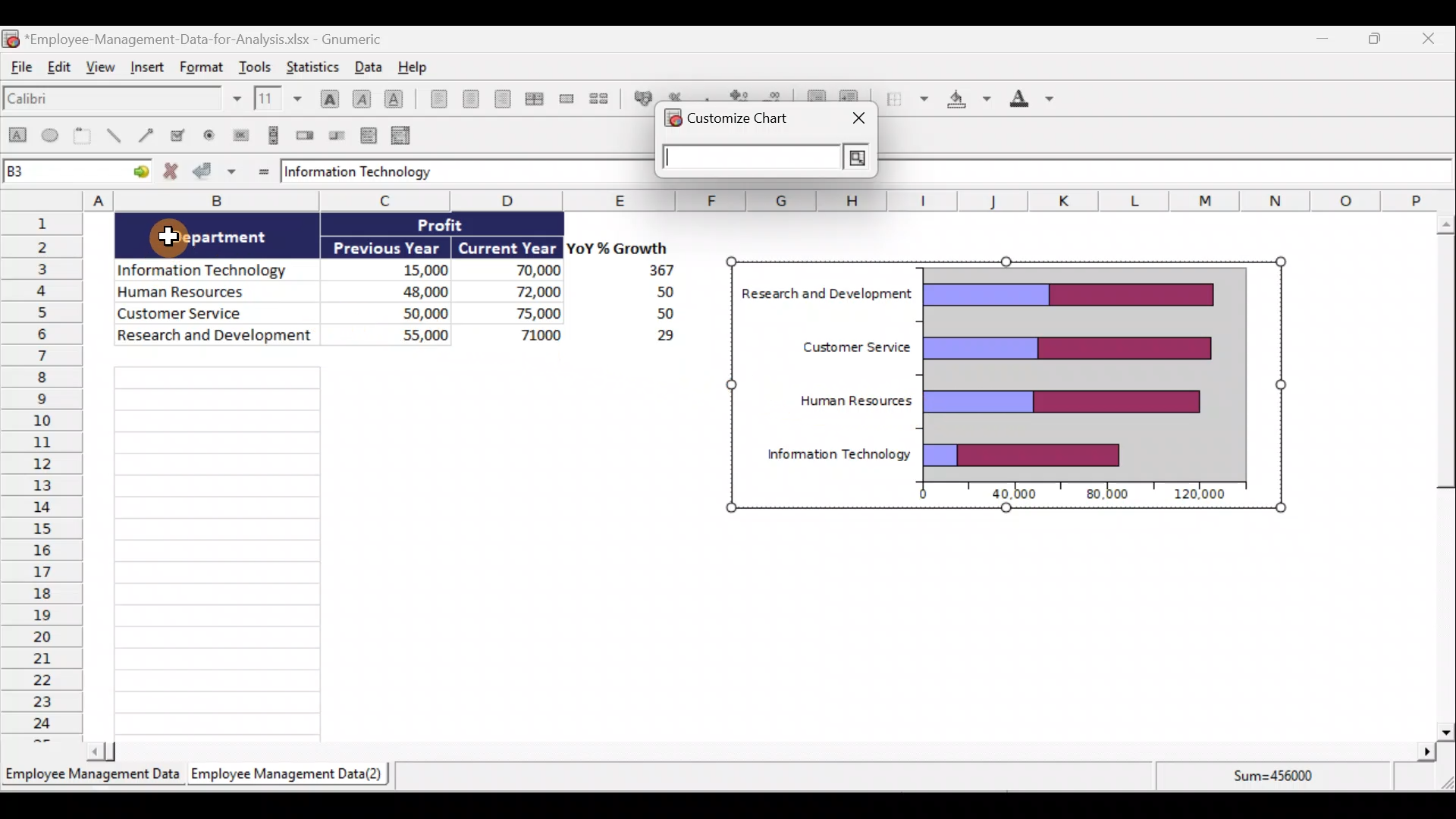 This screenshot has height=819, width=1456. What do you see at coordinates (212, 134) in the screenshot?
I see `Create a radio button` at bounding box center [212, 134].